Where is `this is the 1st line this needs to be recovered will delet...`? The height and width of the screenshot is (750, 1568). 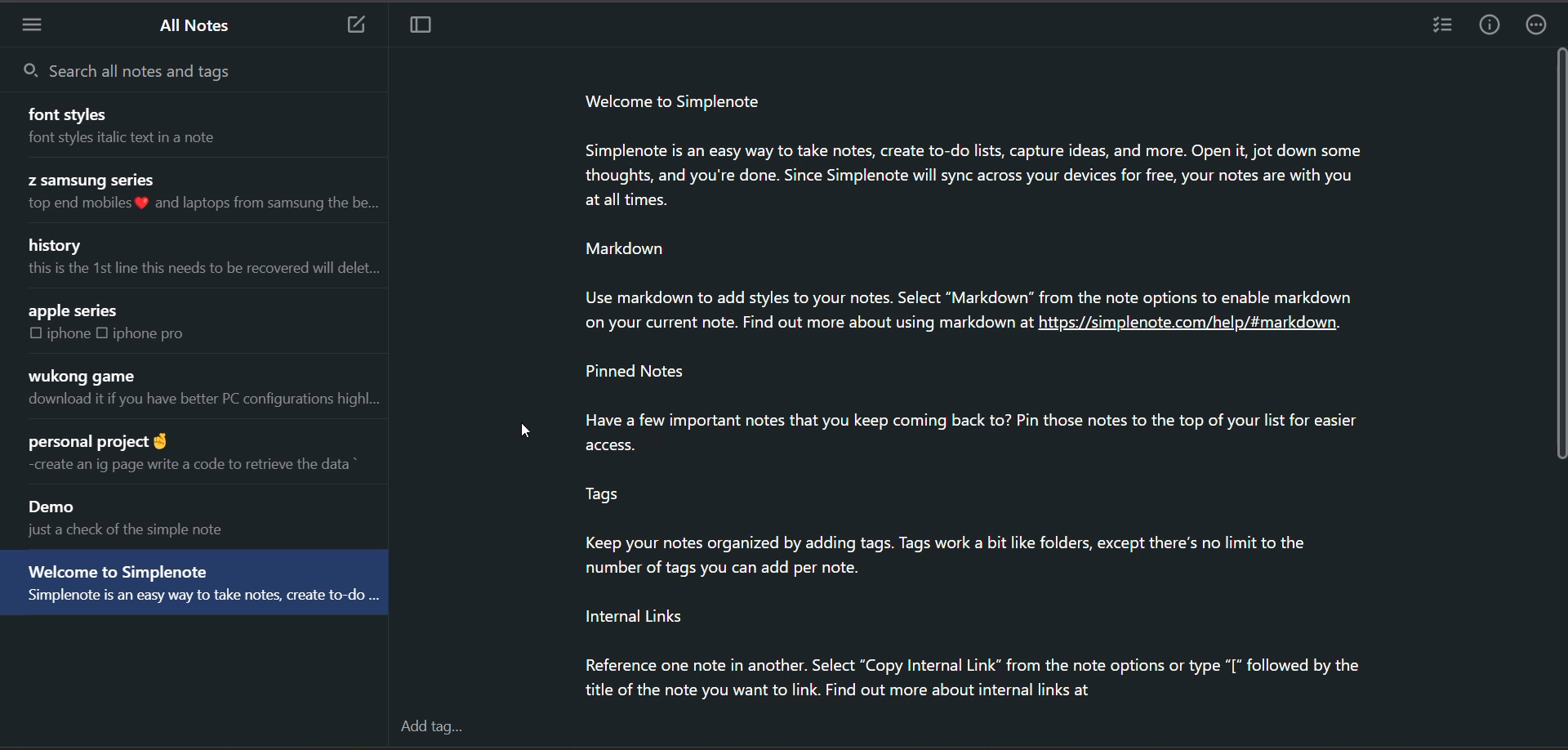 this is the 1st line this needs to be recovered will delet... is located at coordinates (198, 271).